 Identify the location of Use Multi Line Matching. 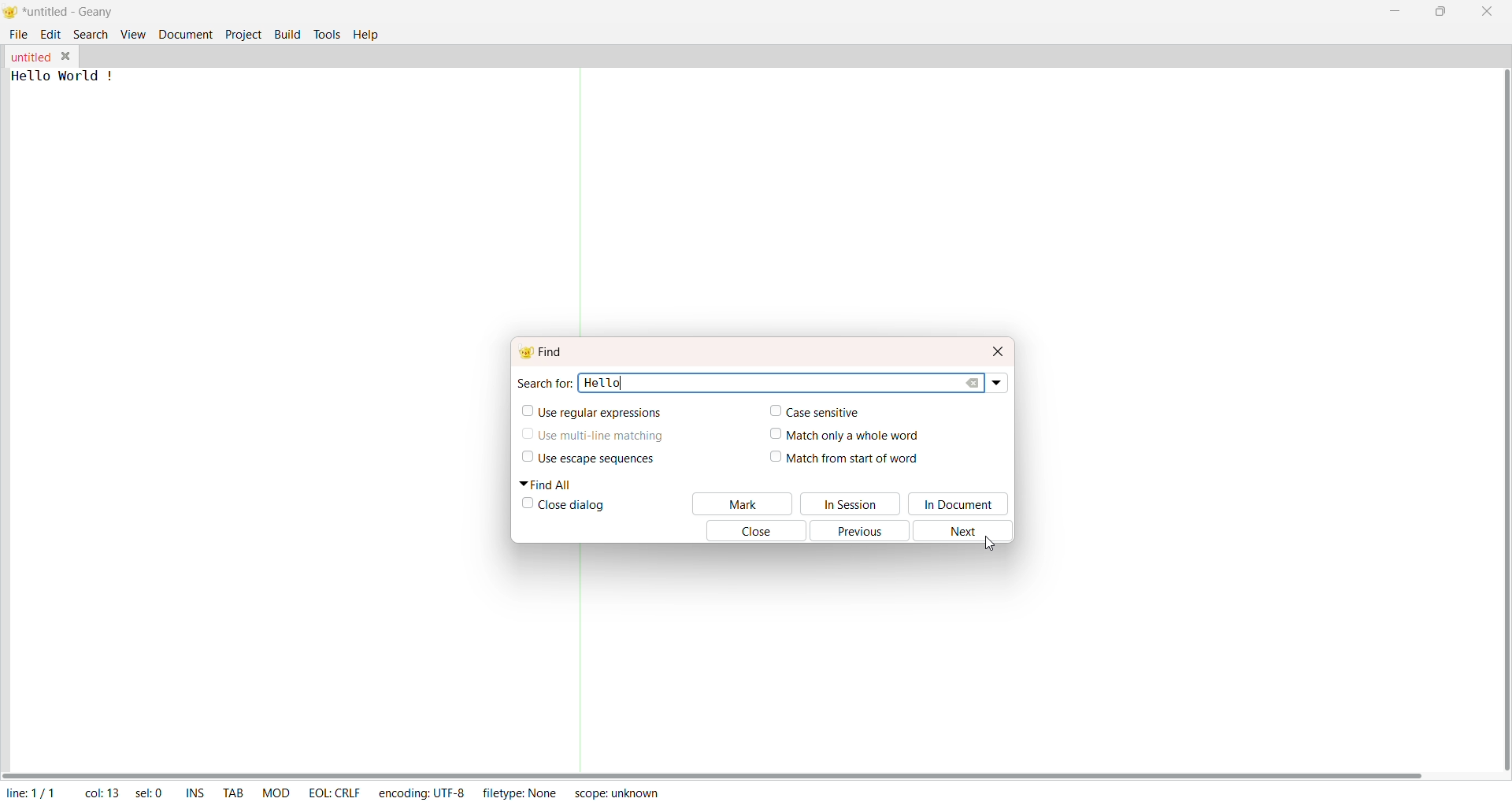
(602, 440).